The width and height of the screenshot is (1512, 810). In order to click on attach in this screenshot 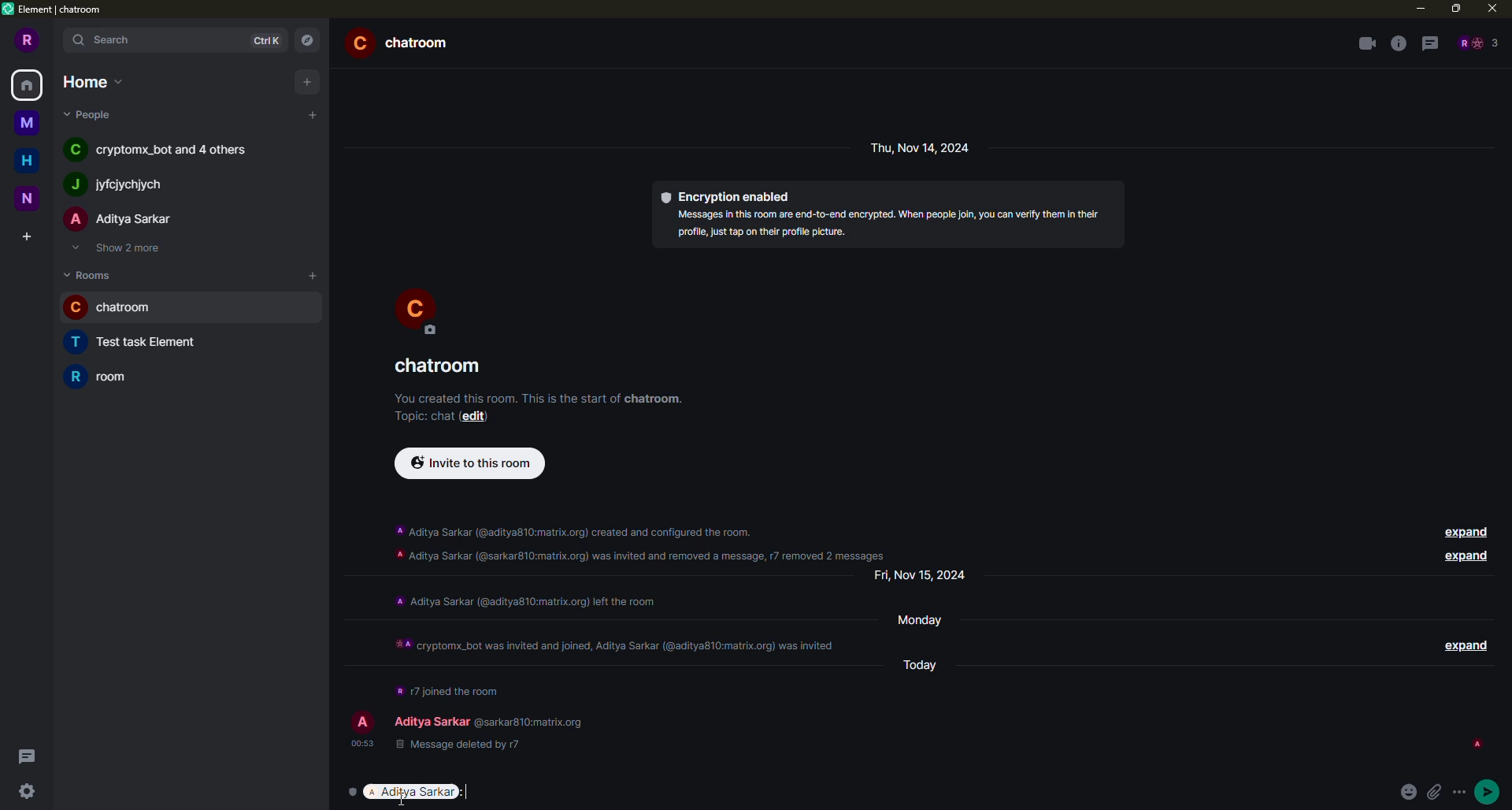, I will do `click(1439, 793)`.